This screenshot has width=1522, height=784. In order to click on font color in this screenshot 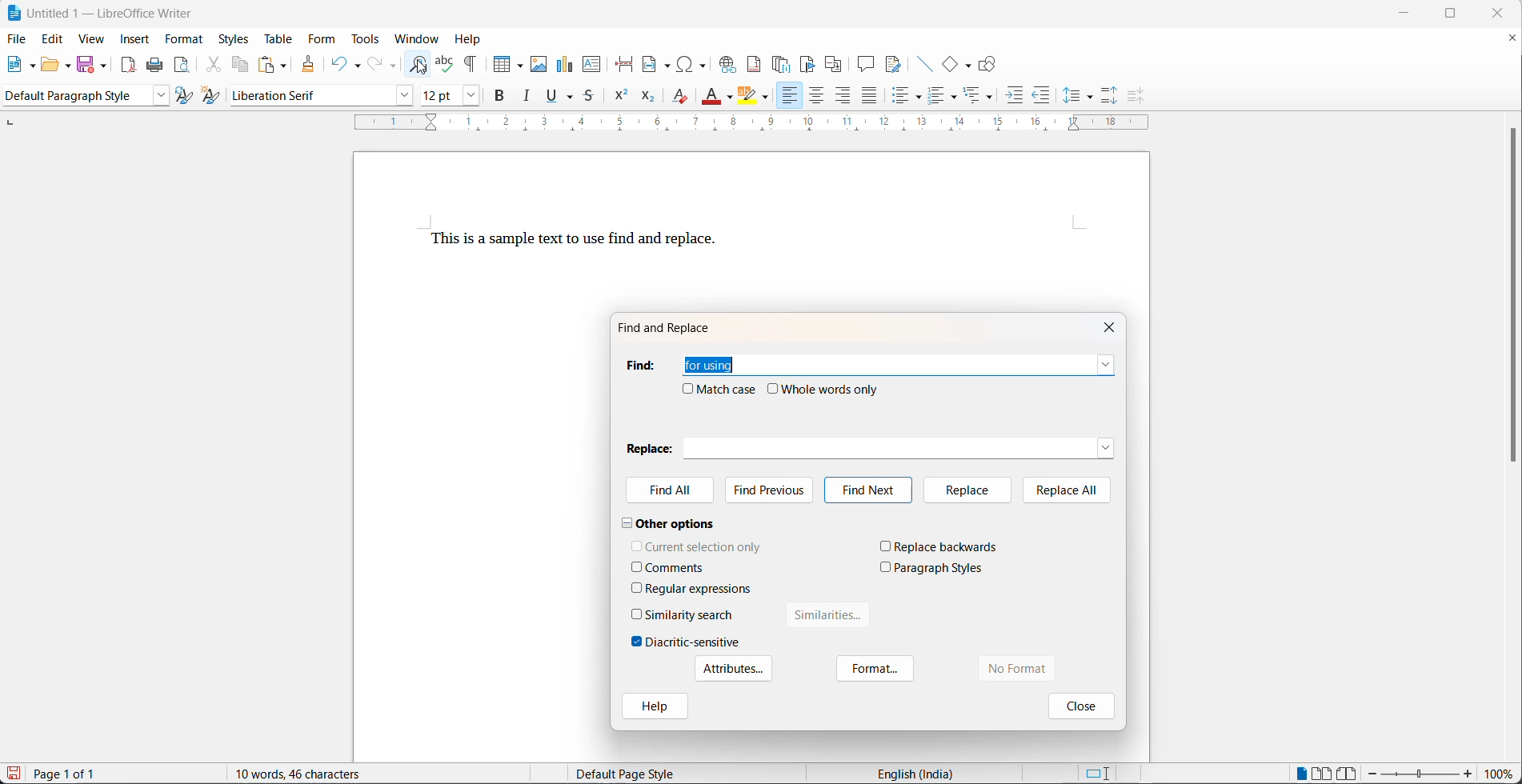, I will do `click(730, 98)`.